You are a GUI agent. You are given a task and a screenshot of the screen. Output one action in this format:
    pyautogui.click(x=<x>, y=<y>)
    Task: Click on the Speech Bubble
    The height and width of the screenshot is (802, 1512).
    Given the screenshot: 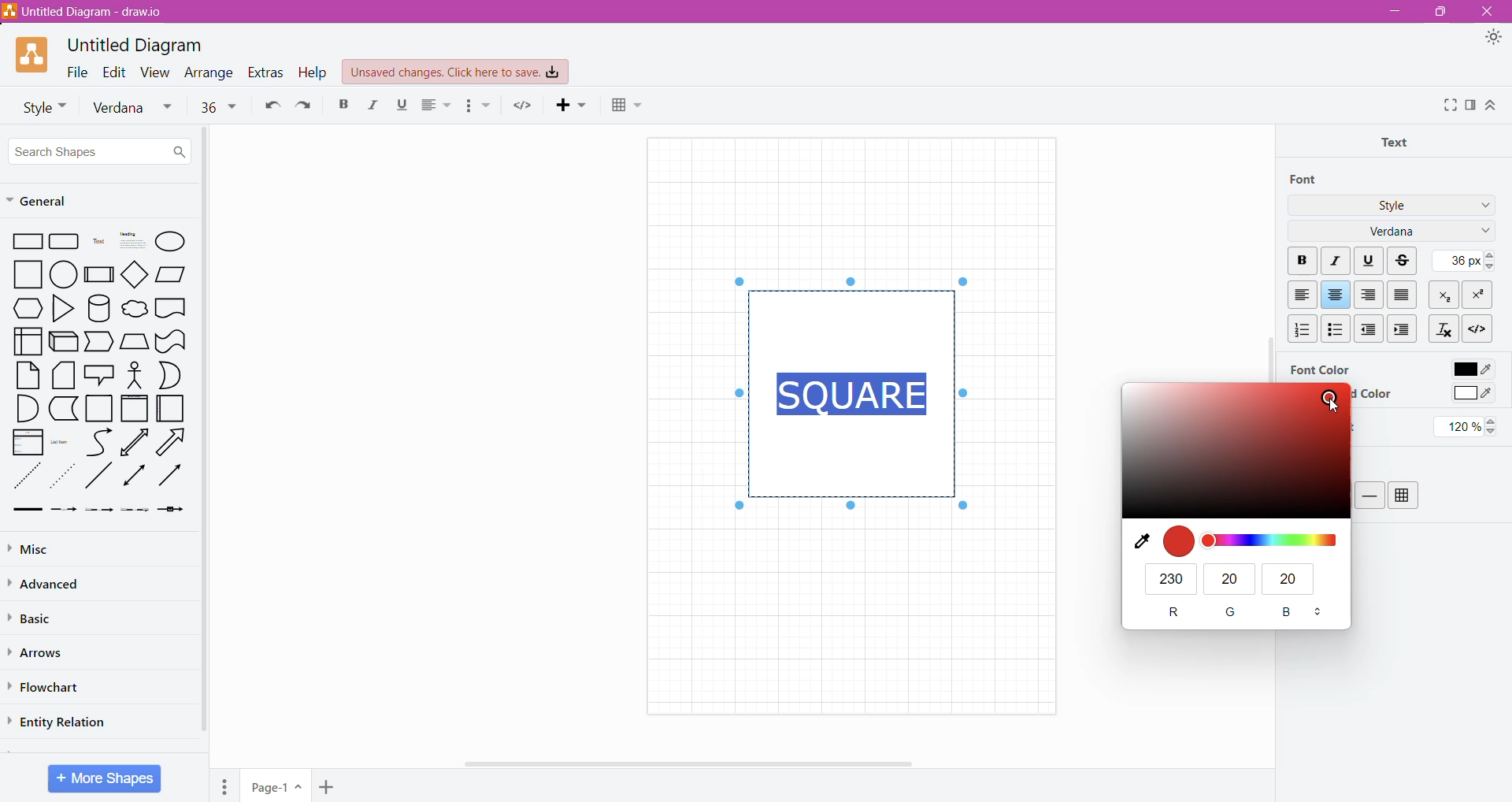 What is the action you would take?
    pyautogui.click(x=101, y=373)
    